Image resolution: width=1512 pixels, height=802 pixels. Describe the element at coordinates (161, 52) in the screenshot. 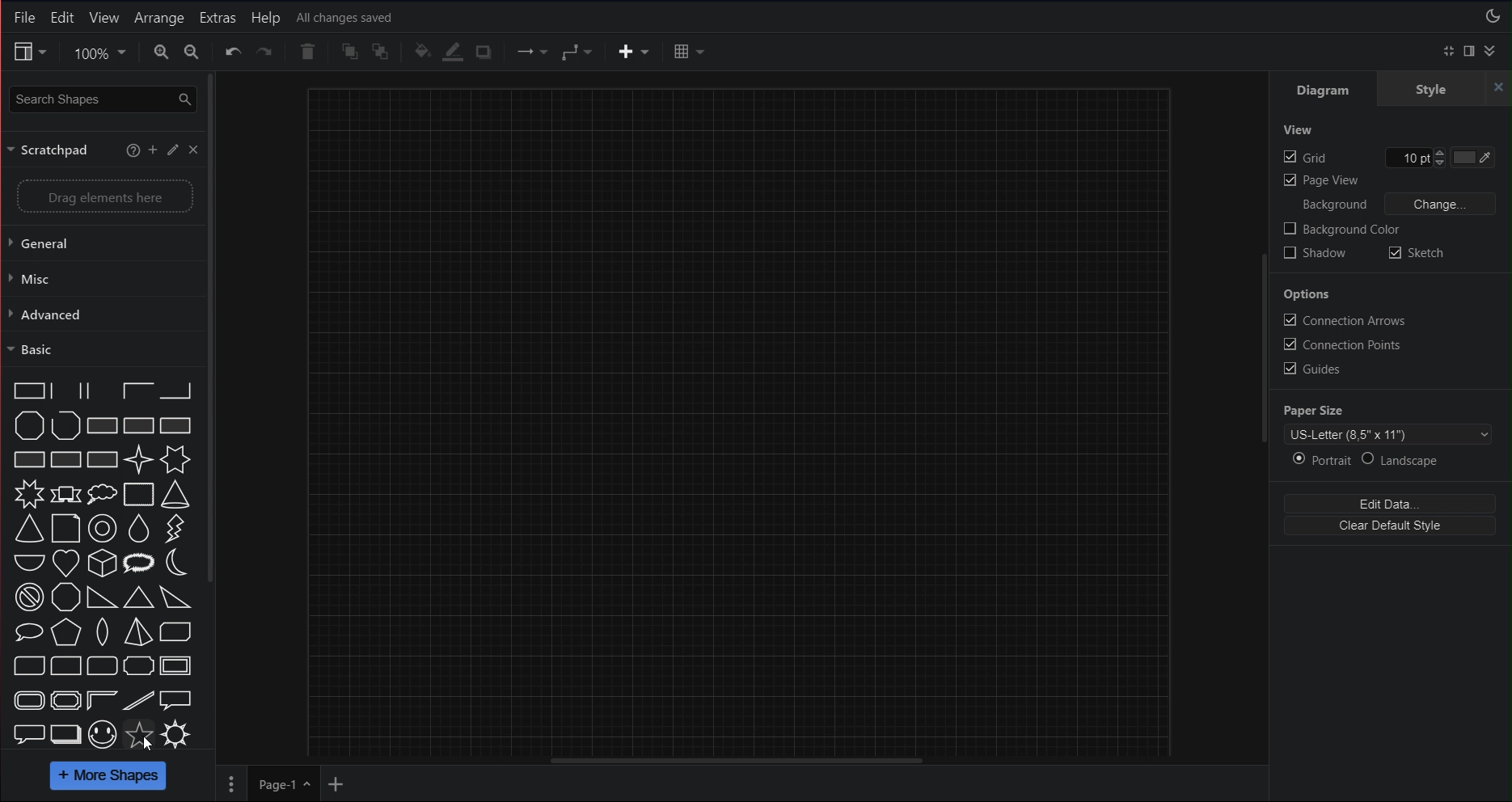

I see `Zoom in` at that location.